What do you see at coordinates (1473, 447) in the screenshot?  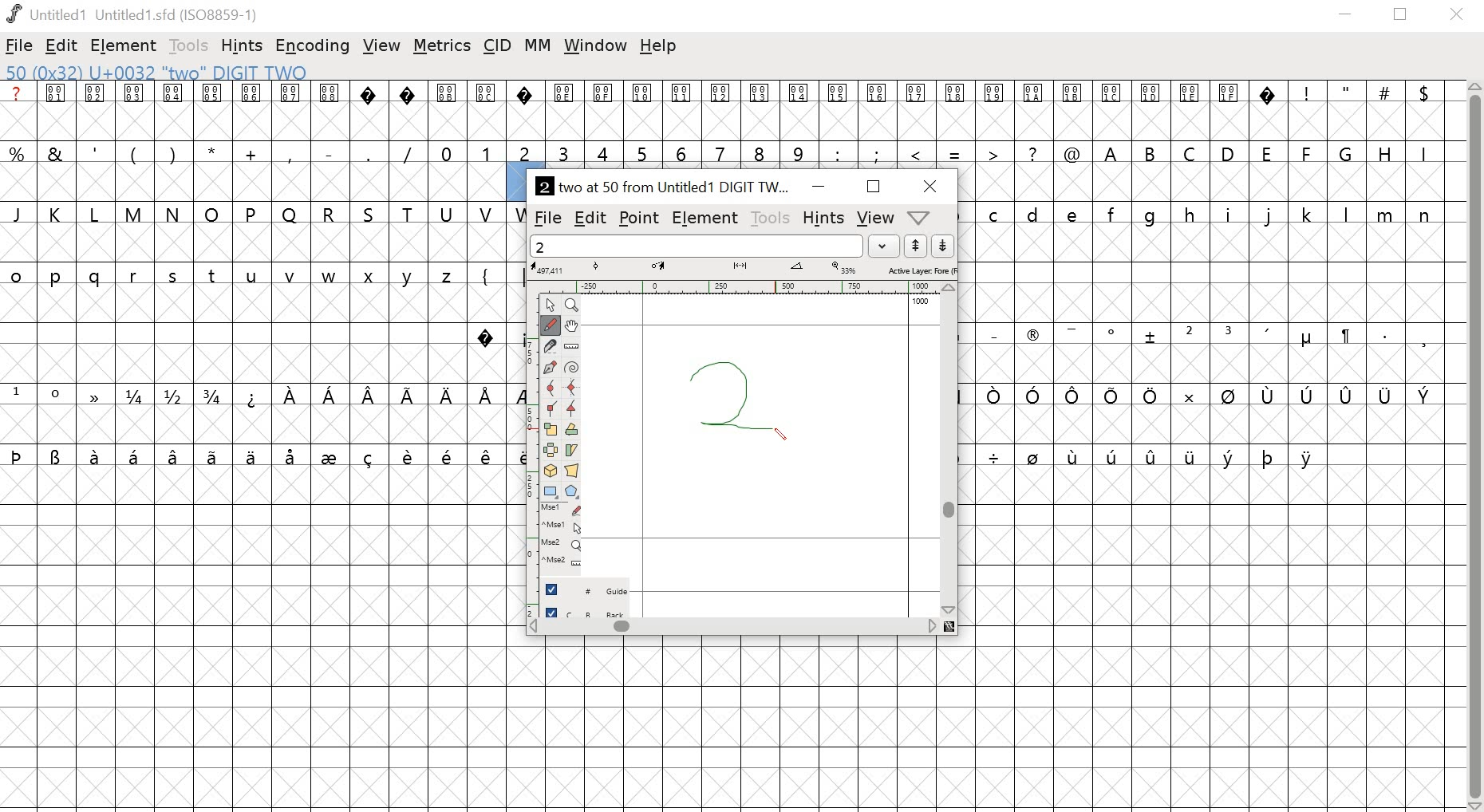 I see `scrollbar` at bounding box center [1473, 447].